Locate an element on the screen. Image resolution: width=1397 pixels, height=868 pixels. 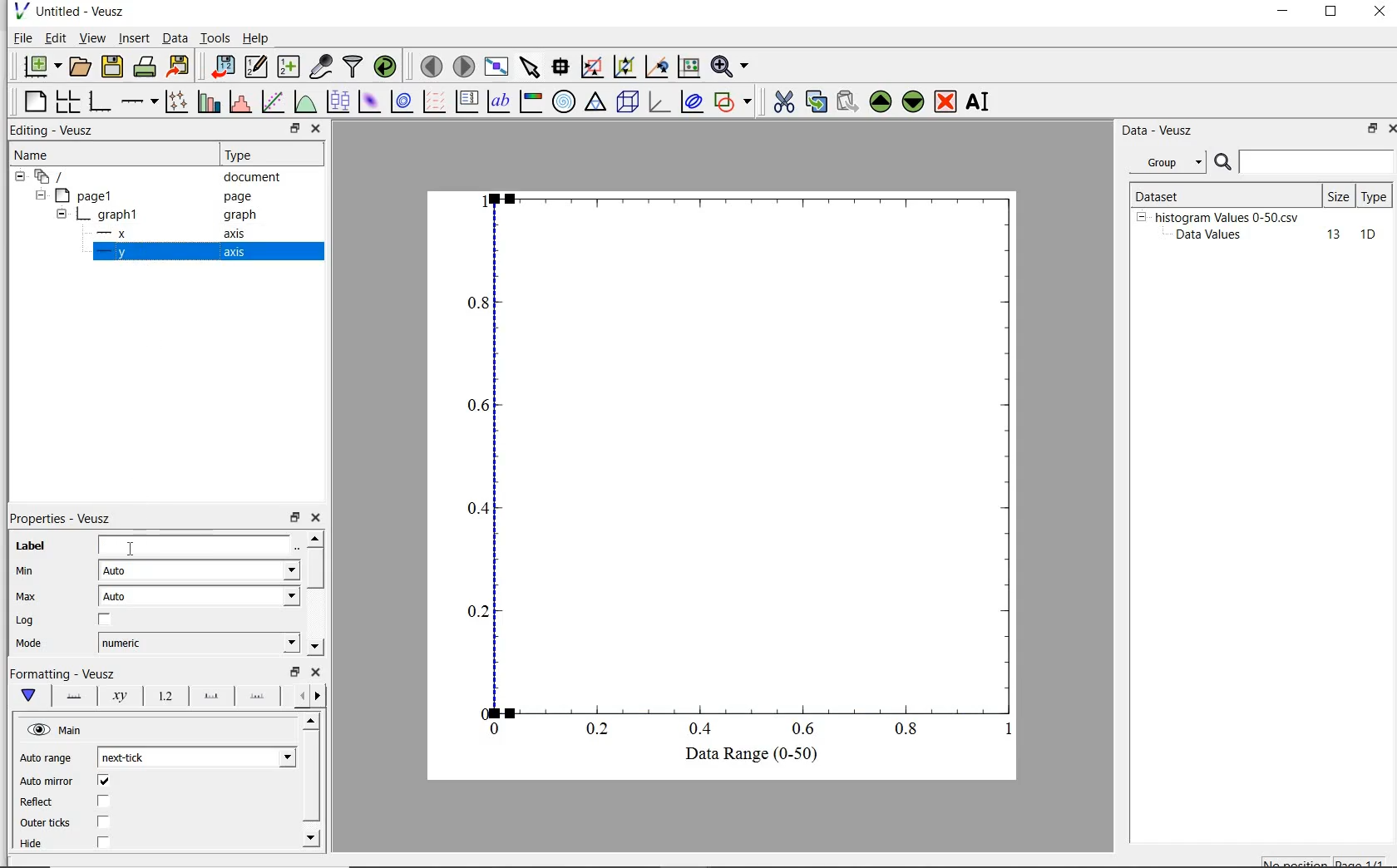
checkbox is located at coordinates (103, 801).